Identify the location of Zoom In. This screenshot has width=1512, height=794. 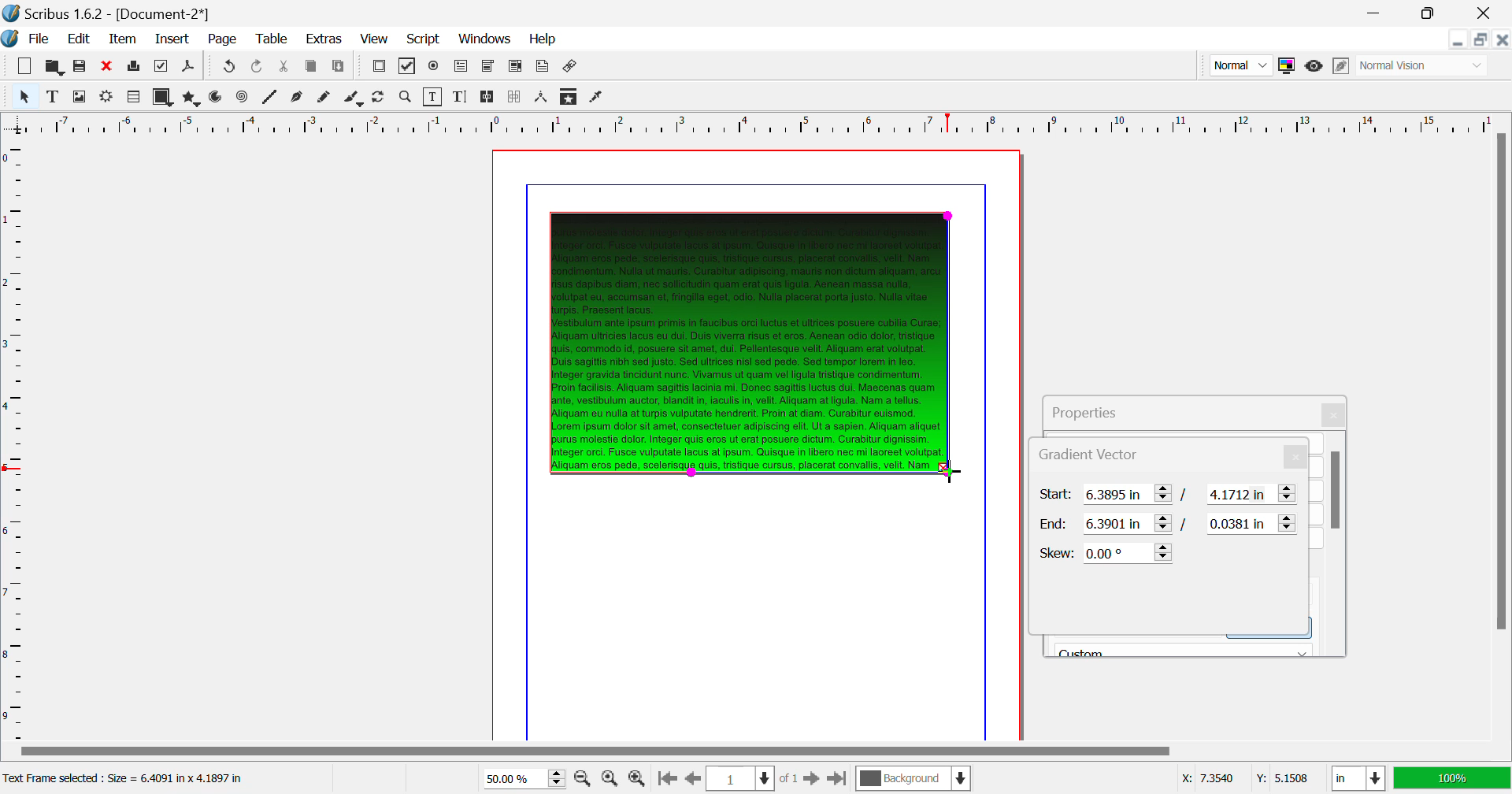
(638, 779).